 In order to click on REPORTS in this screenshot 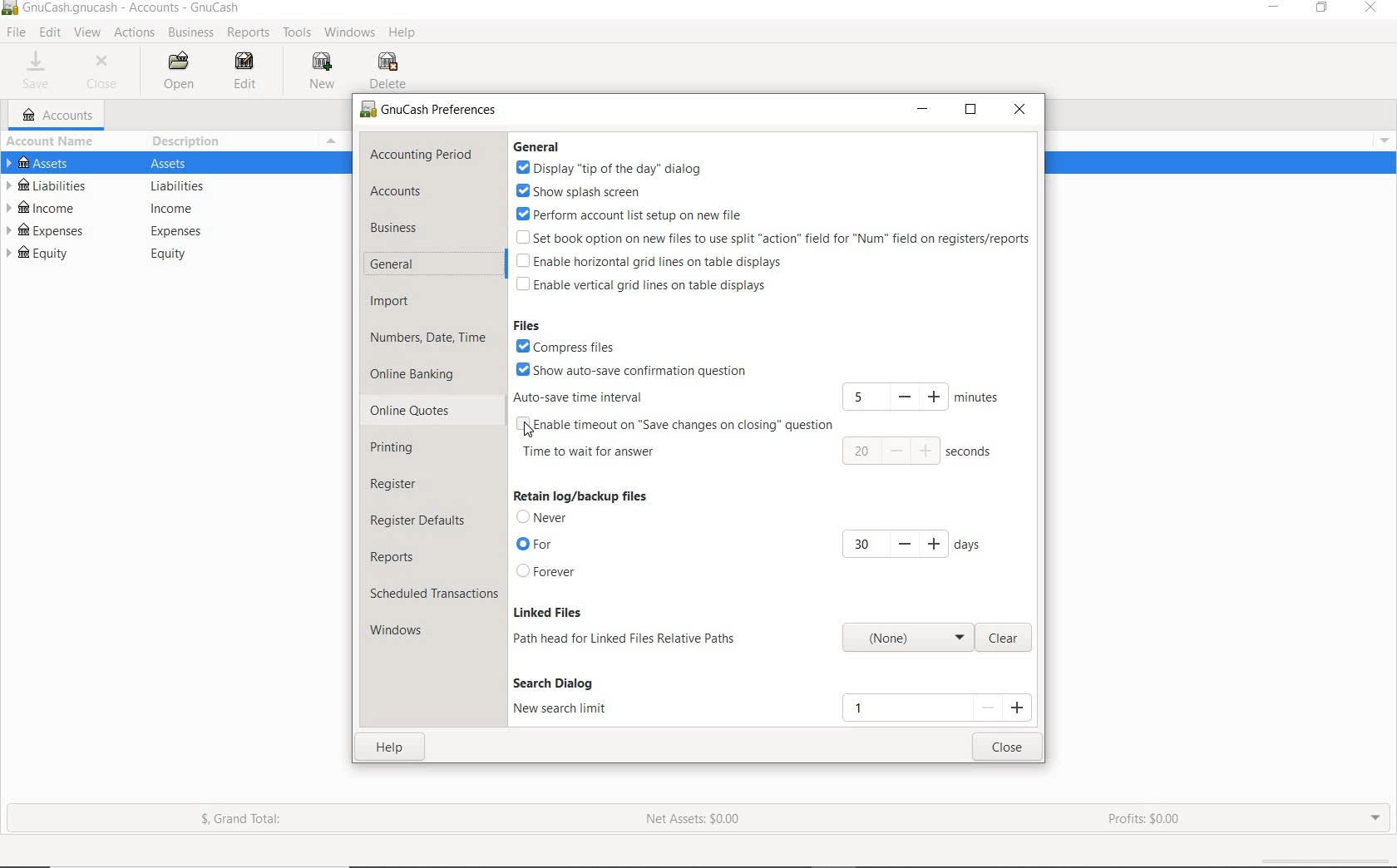, I will do `click(249, 33)`.